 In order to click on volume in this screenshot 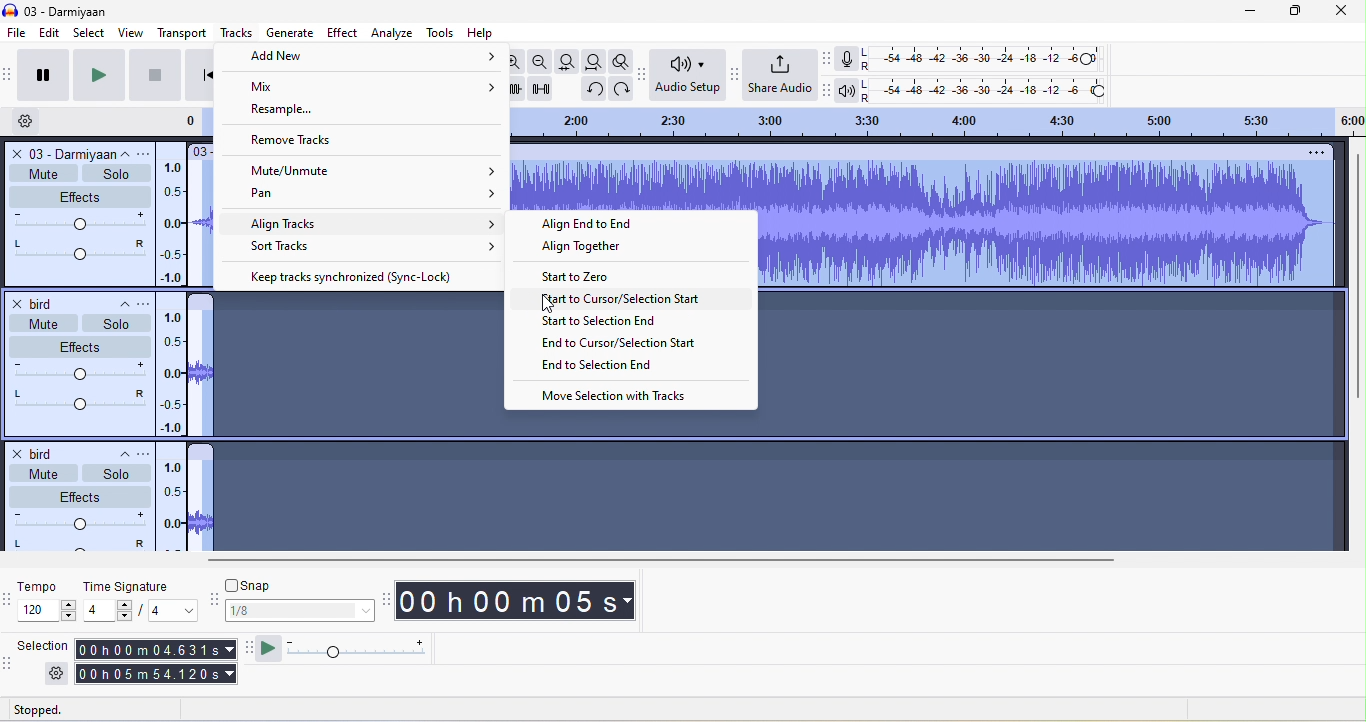, I will do `click(78, 520)`.